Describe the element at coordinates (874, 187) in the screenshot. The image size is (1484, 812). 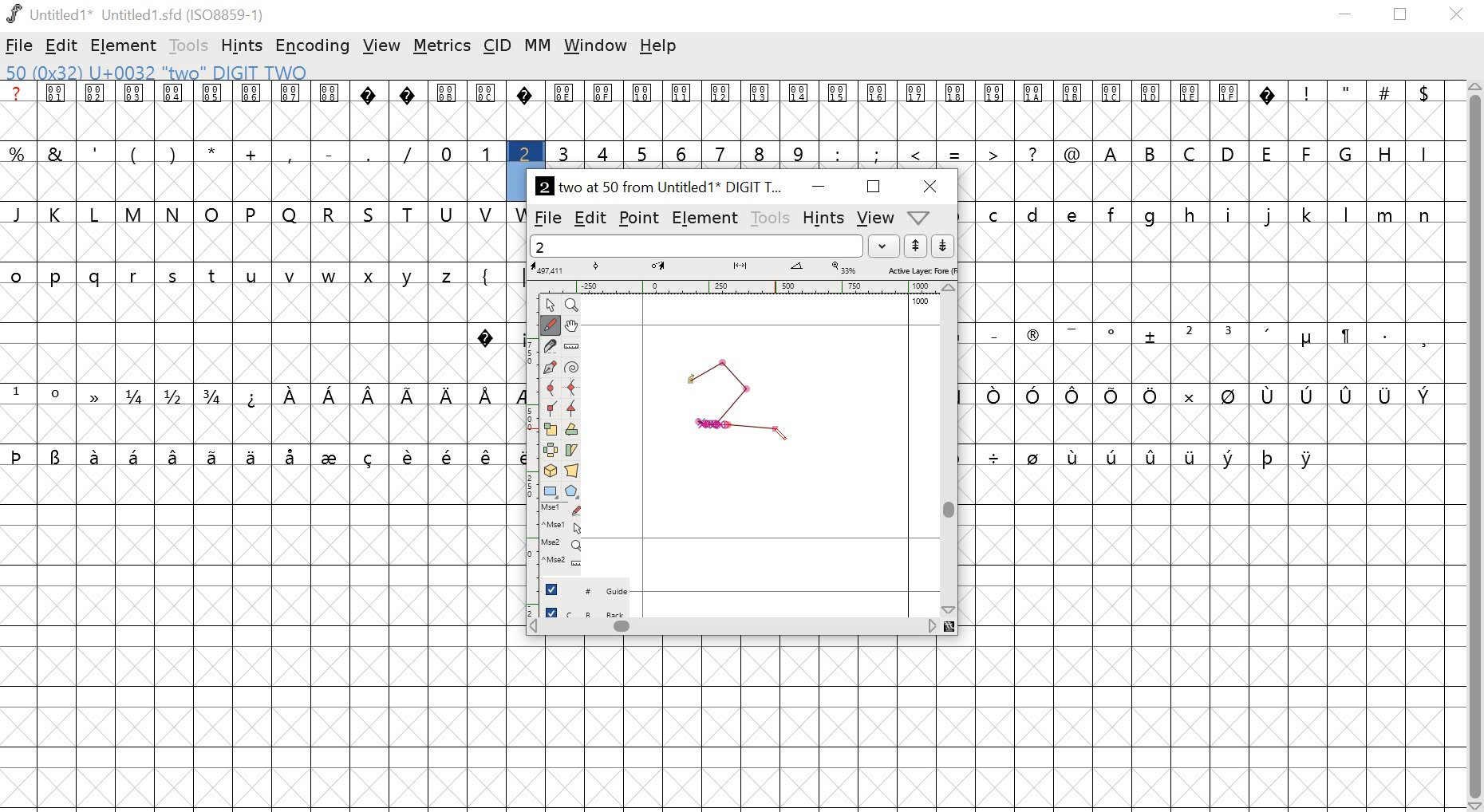
I see `maximize` at that location.